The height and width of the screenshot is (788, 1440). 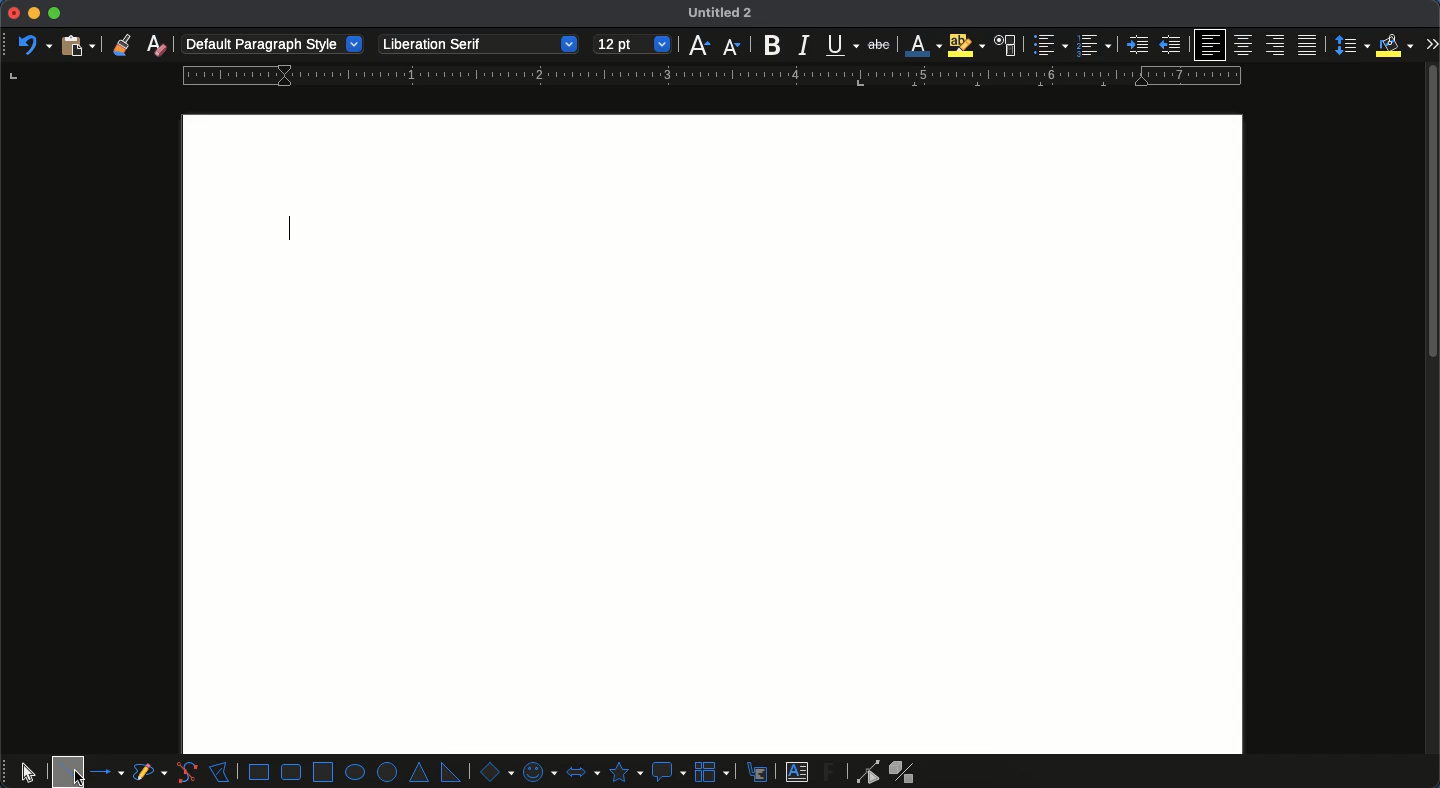 I want to click on clone formatting, so click(x=121, y=45).